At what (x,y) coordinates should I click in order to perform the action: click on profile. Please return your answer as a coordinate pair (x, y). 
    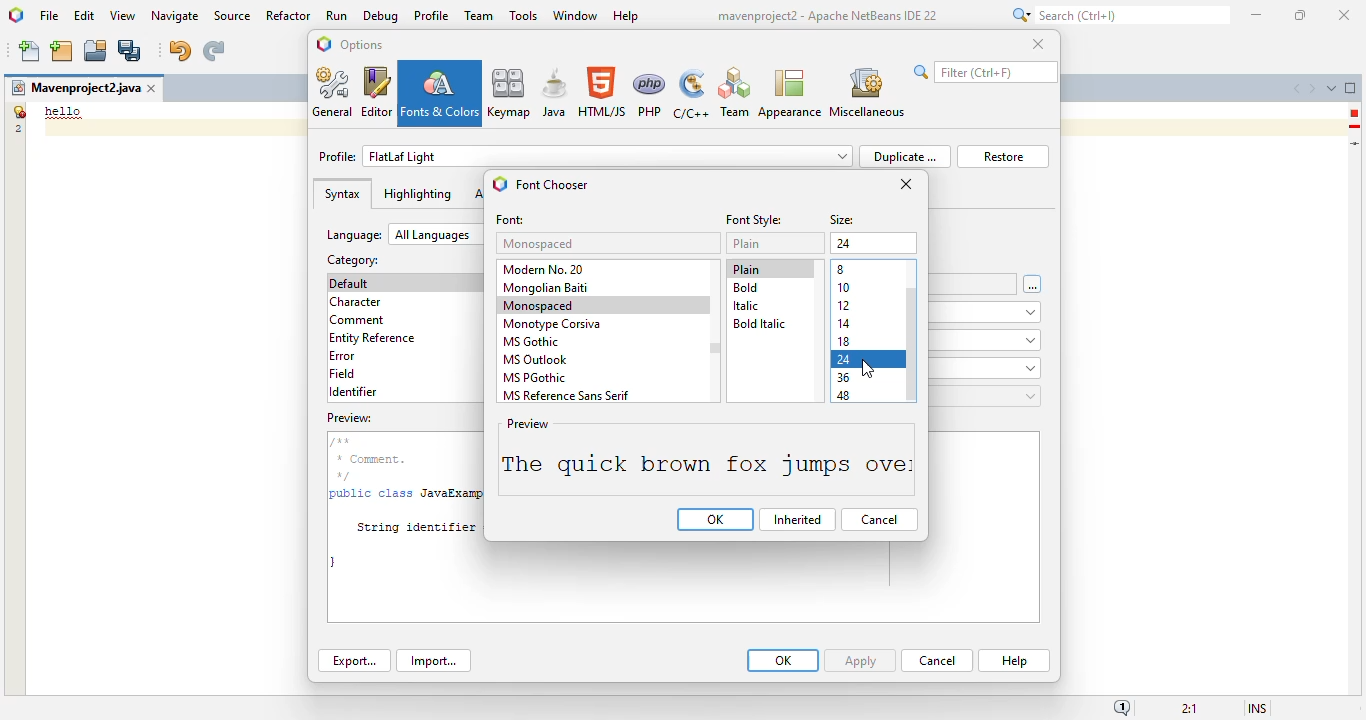
    Looking at the image, I should click on (433, 15).